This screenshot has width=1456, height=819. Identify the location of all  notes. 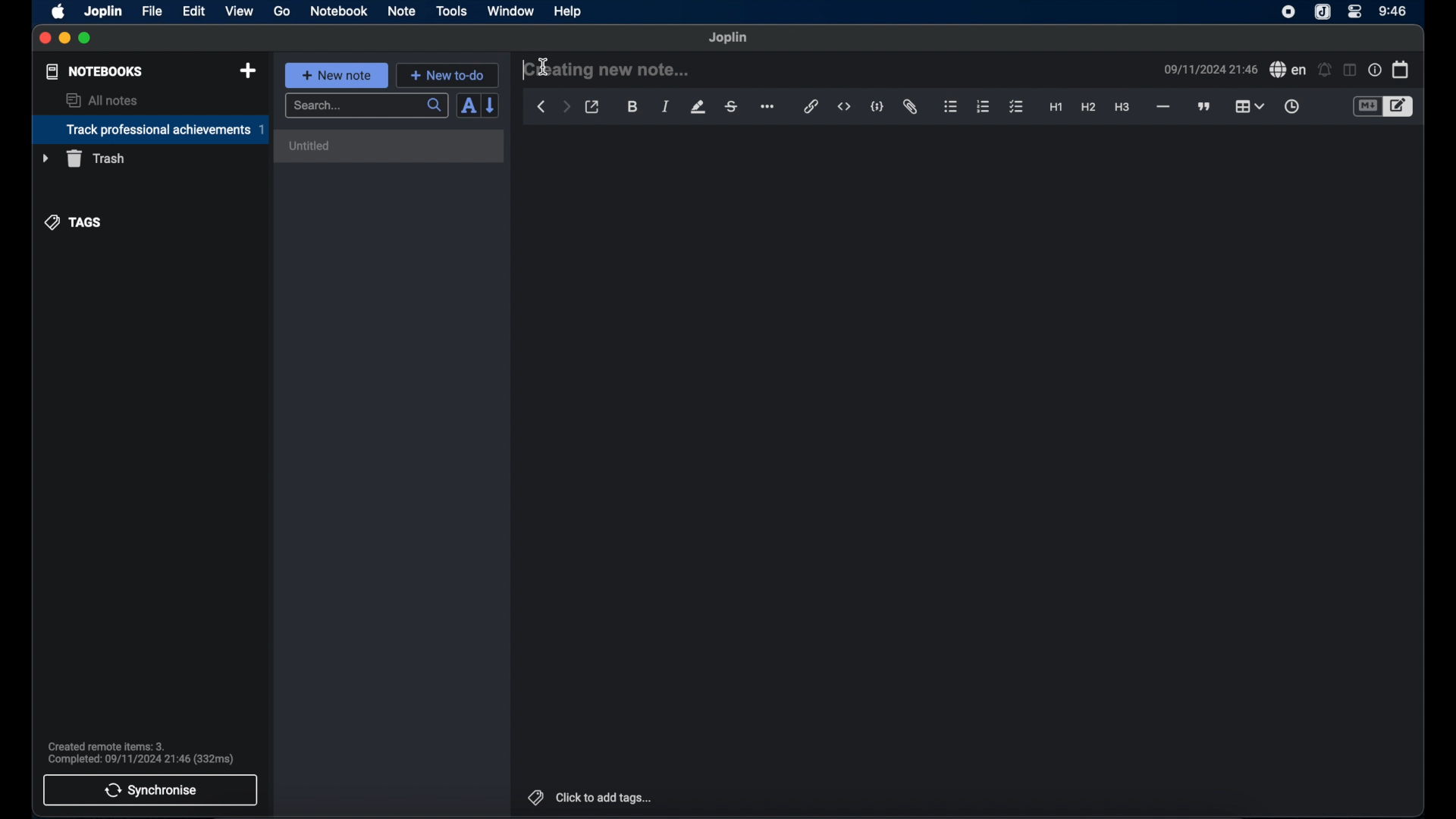
(102, 100).